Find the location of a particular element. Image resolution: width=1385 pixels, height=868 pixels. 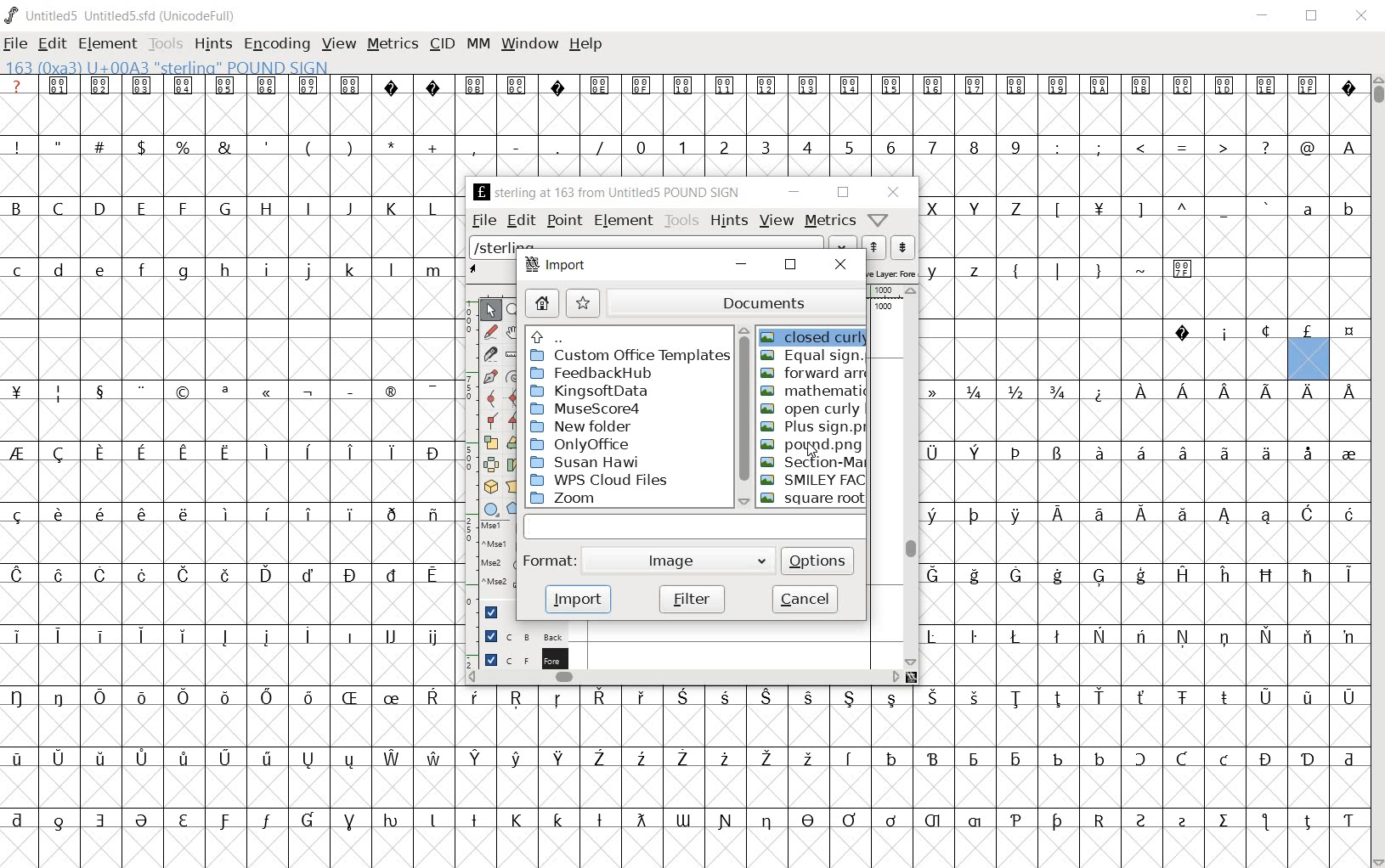

scrollbar is located at coordinates (911, 476).